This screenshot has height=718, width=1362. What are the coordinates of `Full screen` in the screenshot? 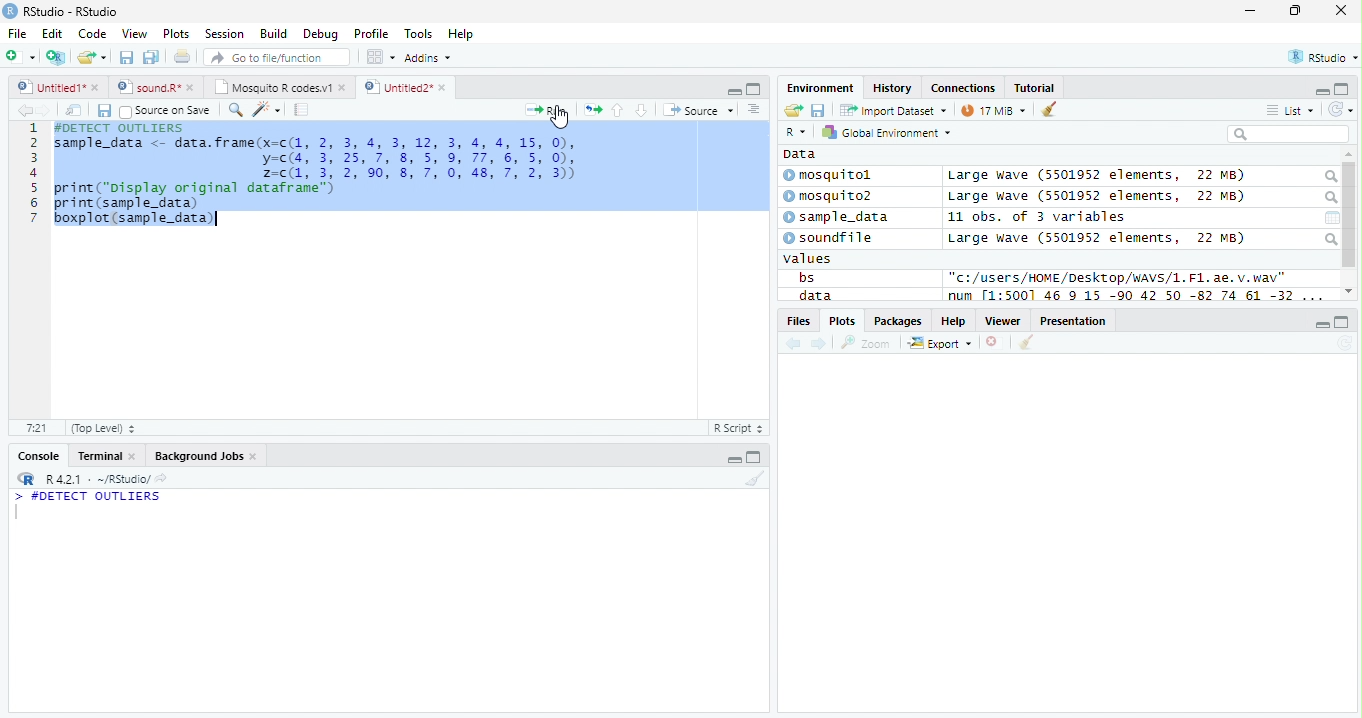 It's located at (753, 89).